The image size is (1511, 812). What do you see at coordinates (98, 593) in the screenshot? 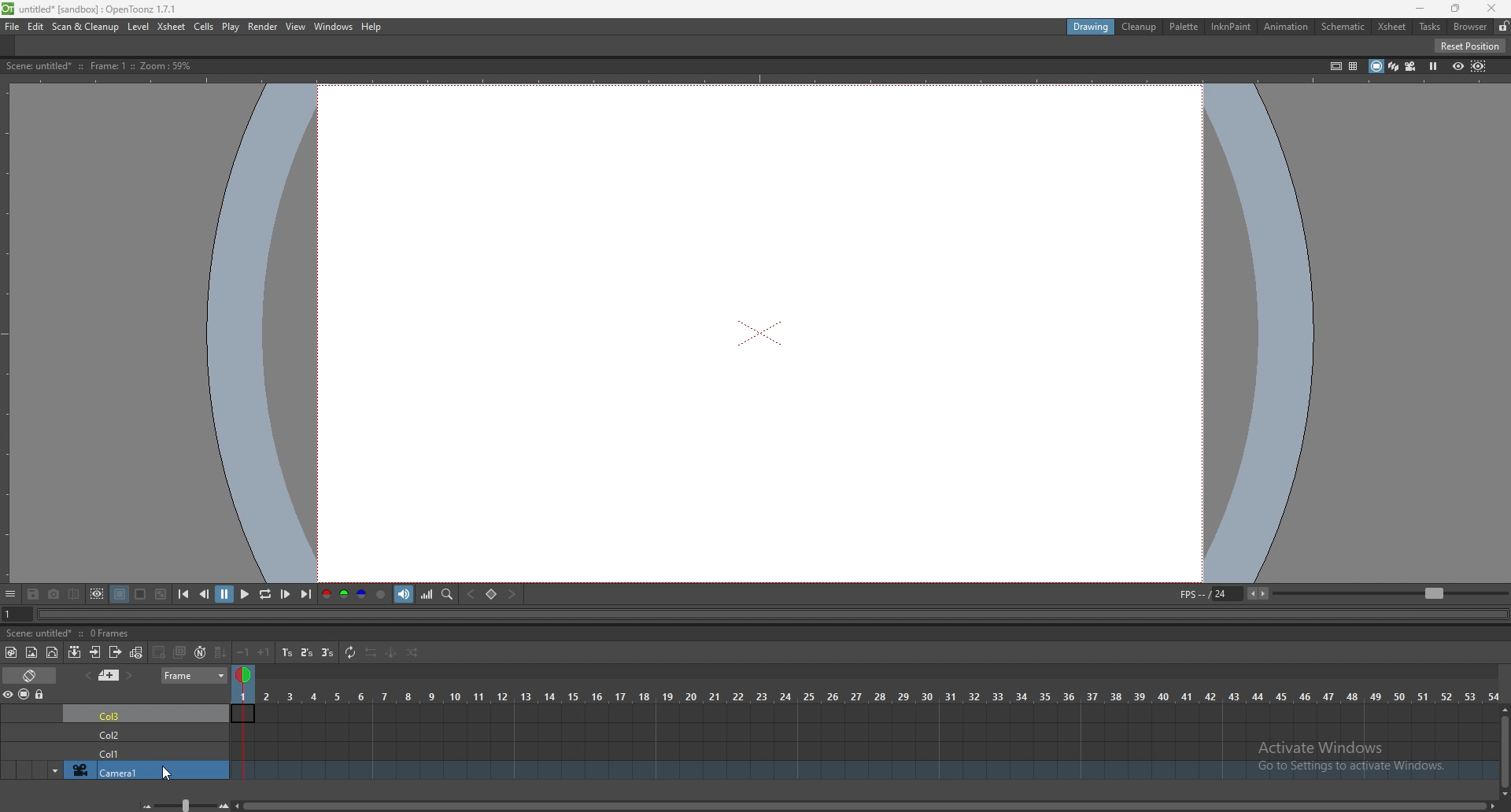
I see `define sub camera` at bounding box center [98, 593].